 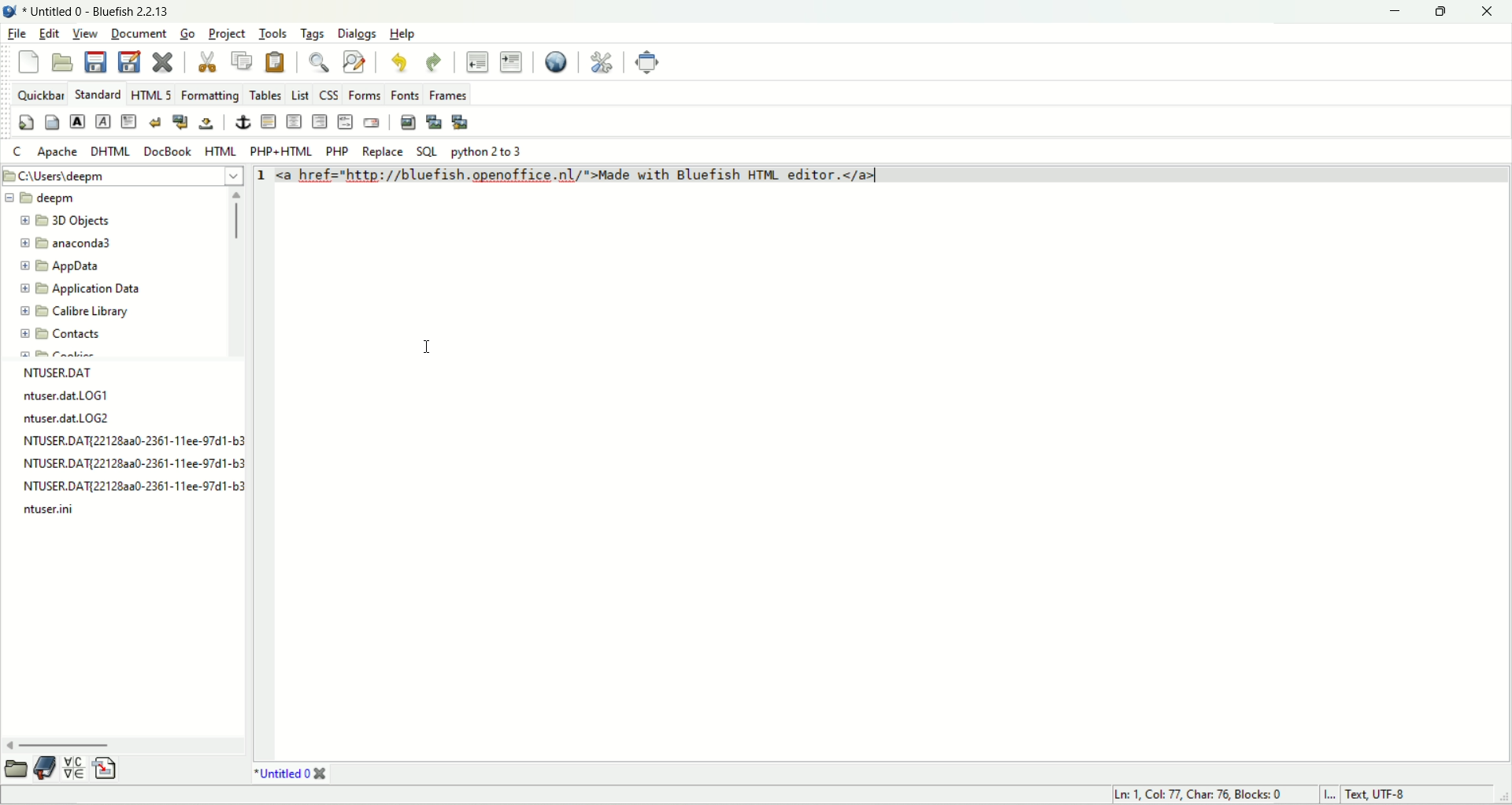 I want to click on open, so click(x=14, y=770).